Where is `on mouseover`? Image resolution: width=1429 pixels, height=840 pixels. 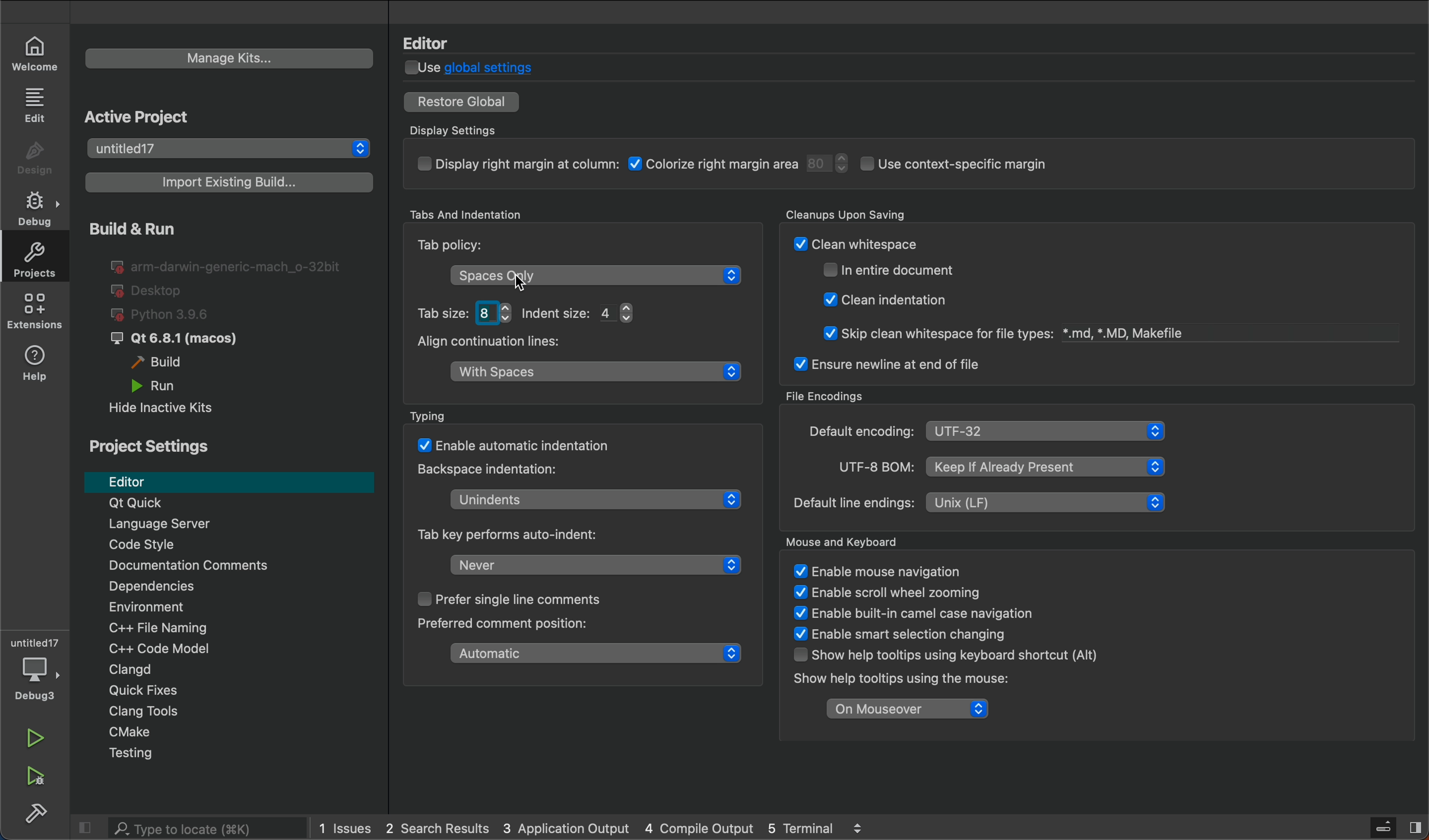
on mouseover is located at coordinates (904, 709).